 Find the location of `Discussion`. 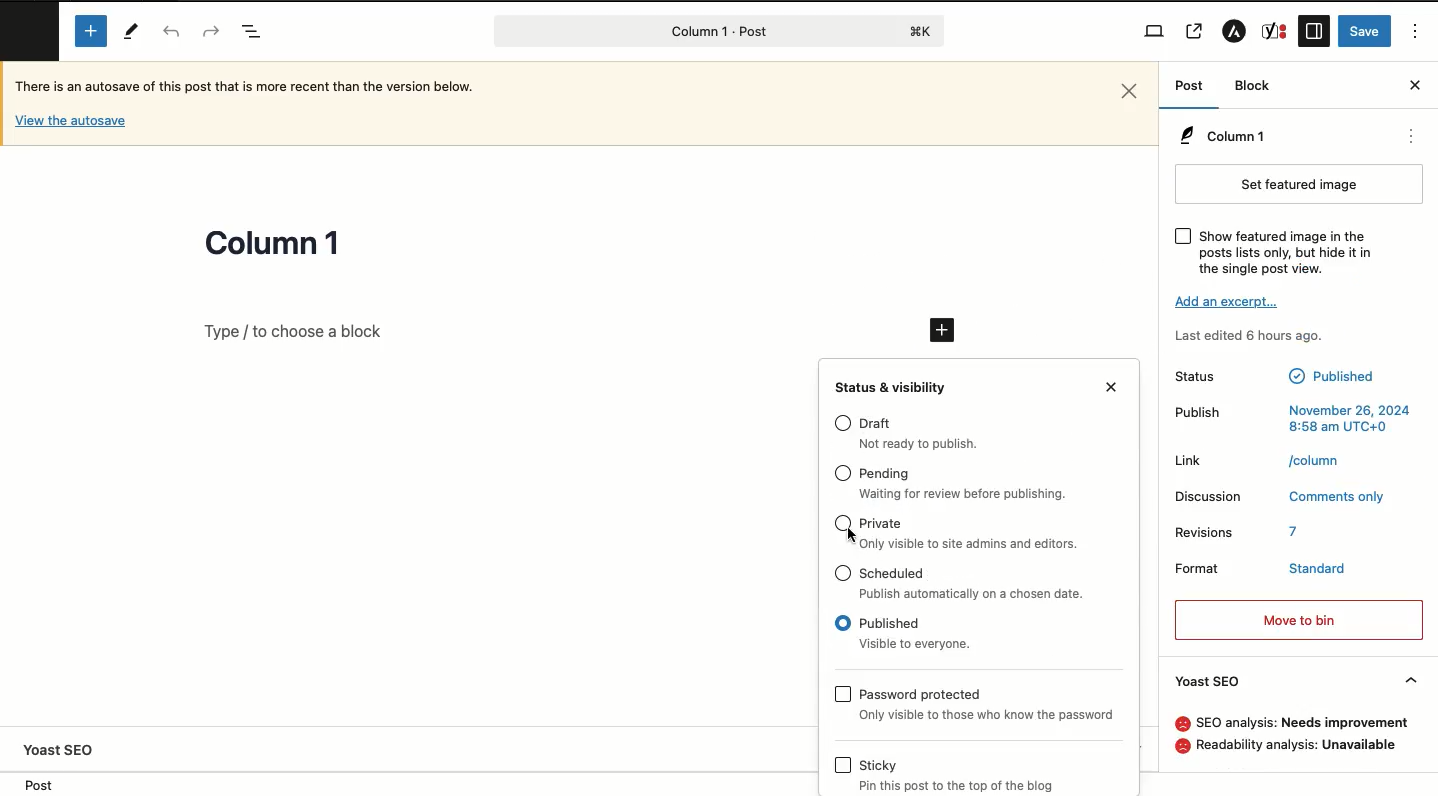

Discussion is located at coordinates (1211, 497).